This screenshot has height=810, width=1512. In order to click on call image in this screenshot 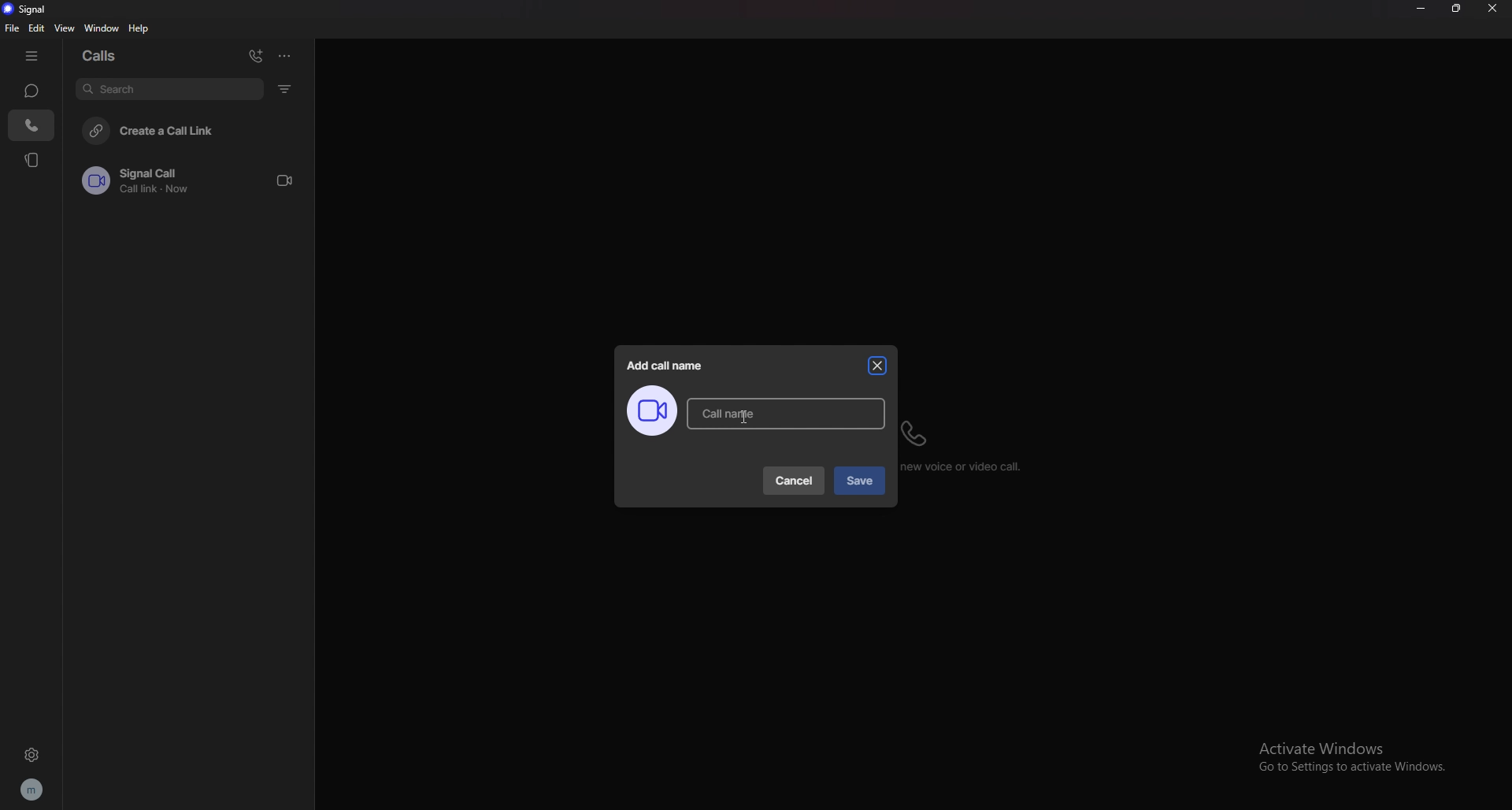, I will do `click(651, 411)`.